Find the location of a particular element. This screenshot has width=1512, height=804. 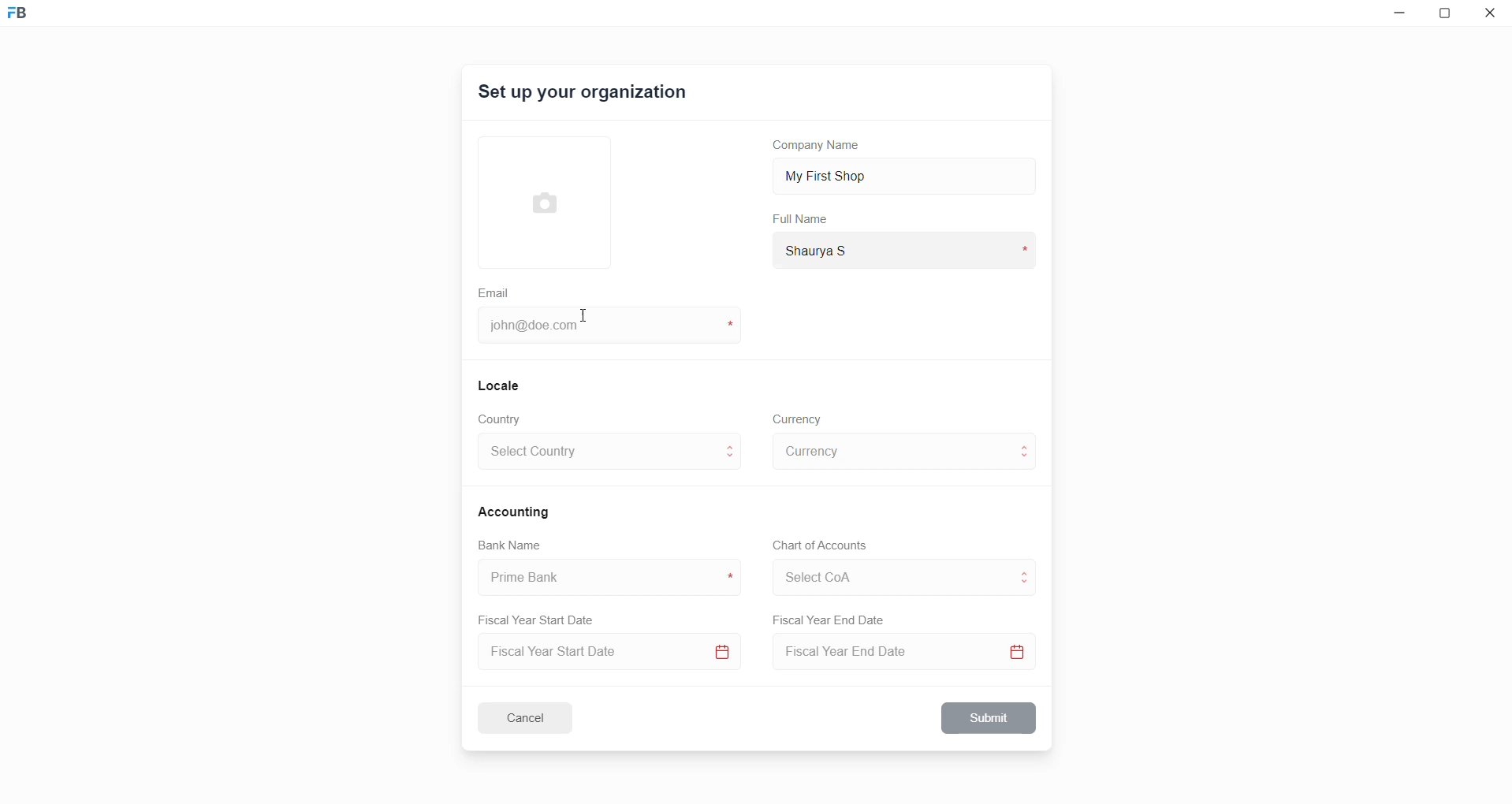

Bank Name is located at coordinates (510, 547).